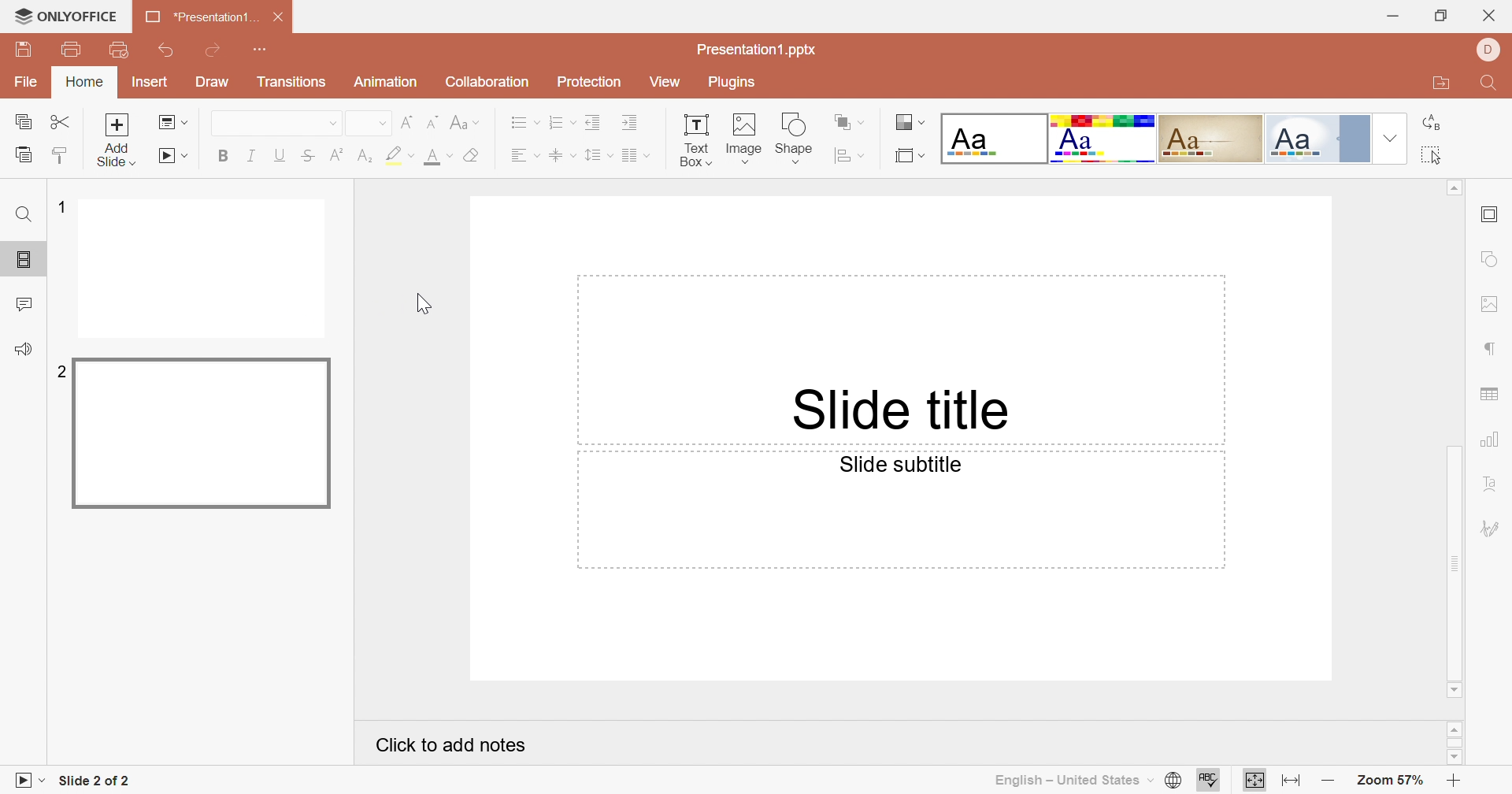 The width and height of the screenshot is (1512, 794). Describe the element at coordinates (1489, 258) in the screenshot. I see `Shape settings` at that location.